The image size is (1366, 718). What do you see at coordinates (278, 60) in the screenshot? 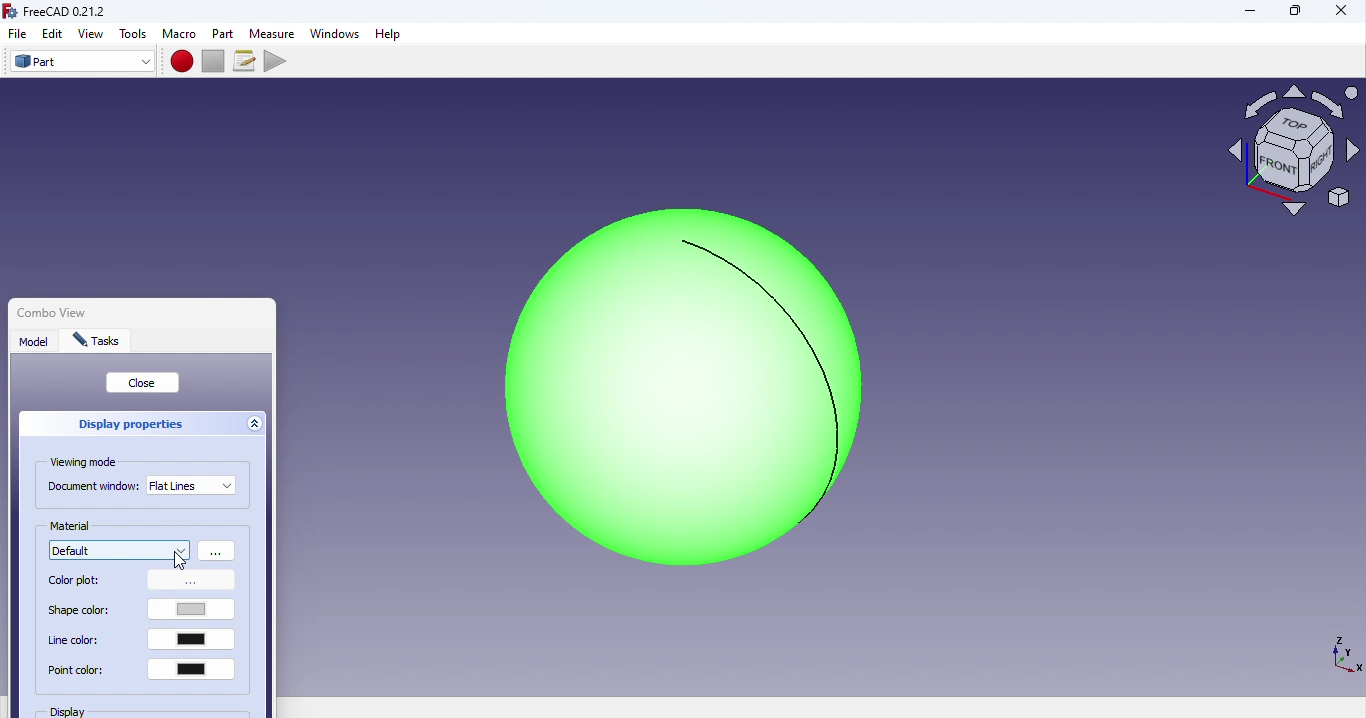
I see `Execute Macros` at bounding box center [278, 60].